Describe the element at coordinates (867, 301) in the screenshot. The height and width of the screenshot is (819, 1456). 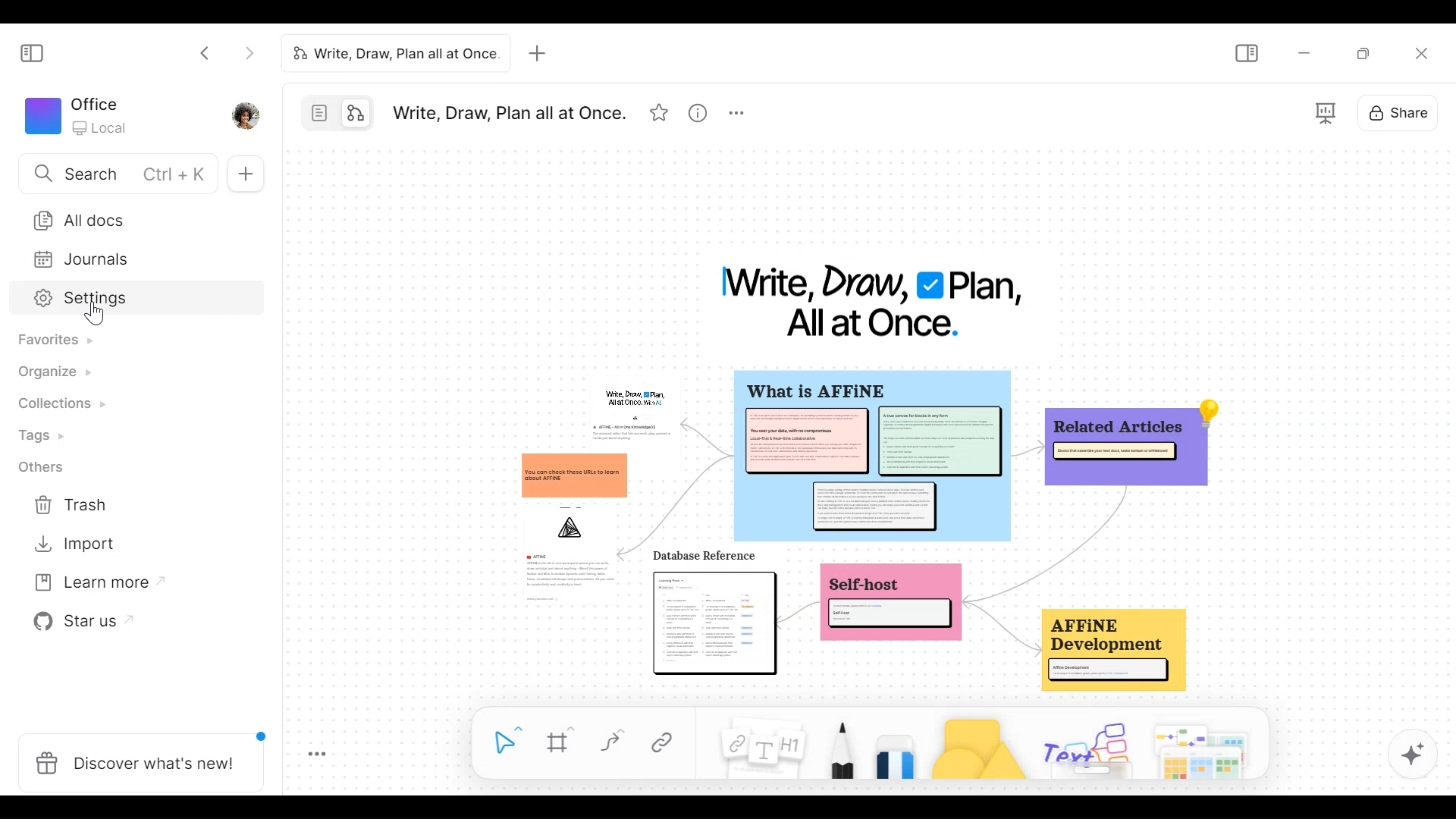
I see `Title ` at that location.